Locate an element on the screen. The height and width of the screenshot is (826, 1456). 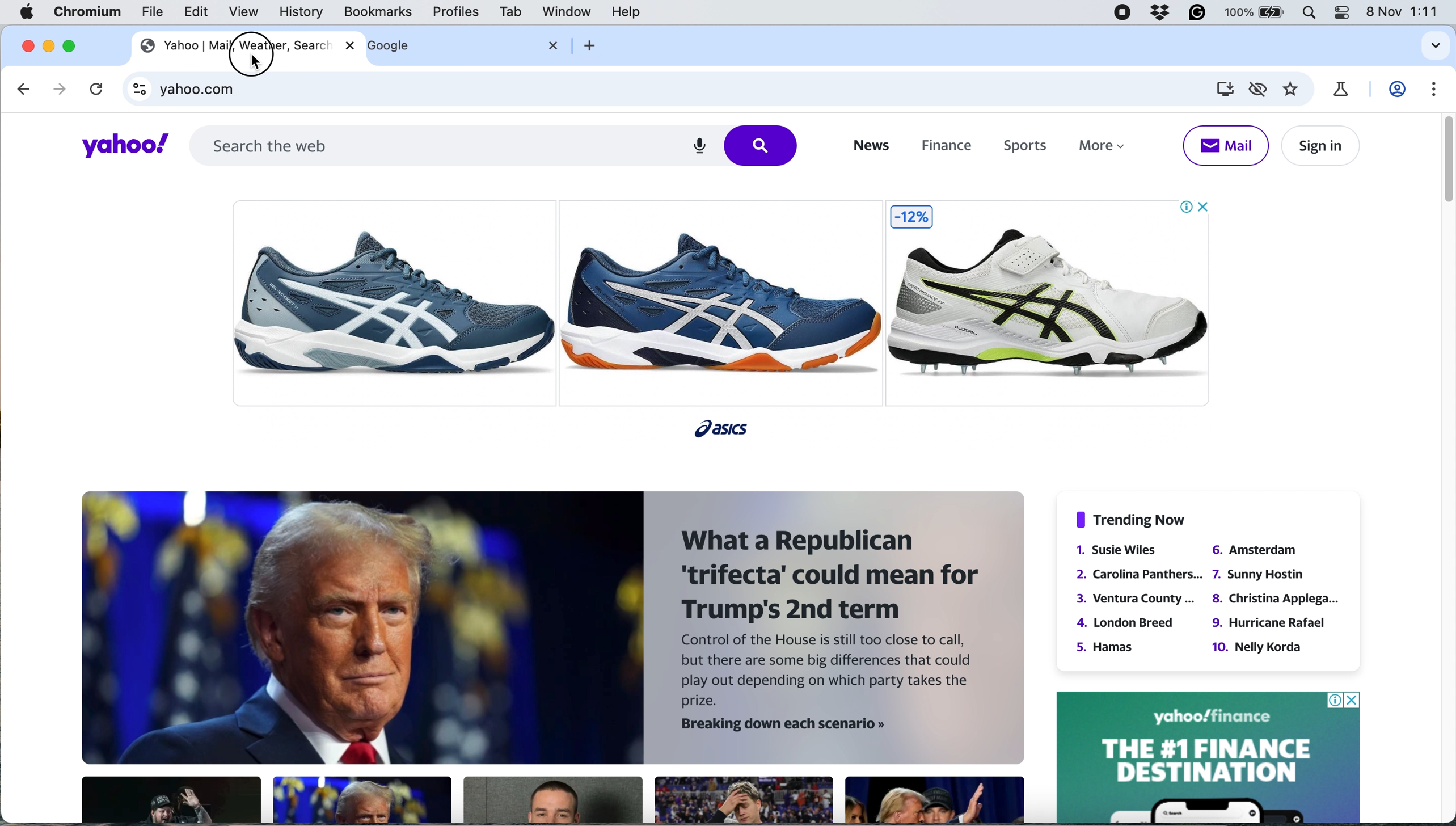
BB. a
| - >» 5 ZIPALA :
= 3 . What a Republican
= 5» » Ygpat 1
» a trifecta’ could mean for
| 4 ’ ¥
g » baa Trump's 2nd term
» rg AF Control of the House is still too close to call,
} te but there are some big differences that could
. A —y play out depending on which party takes the
“ k prize.
Hy. - Breaking down each scenario » is located at coordinates (545, 656).